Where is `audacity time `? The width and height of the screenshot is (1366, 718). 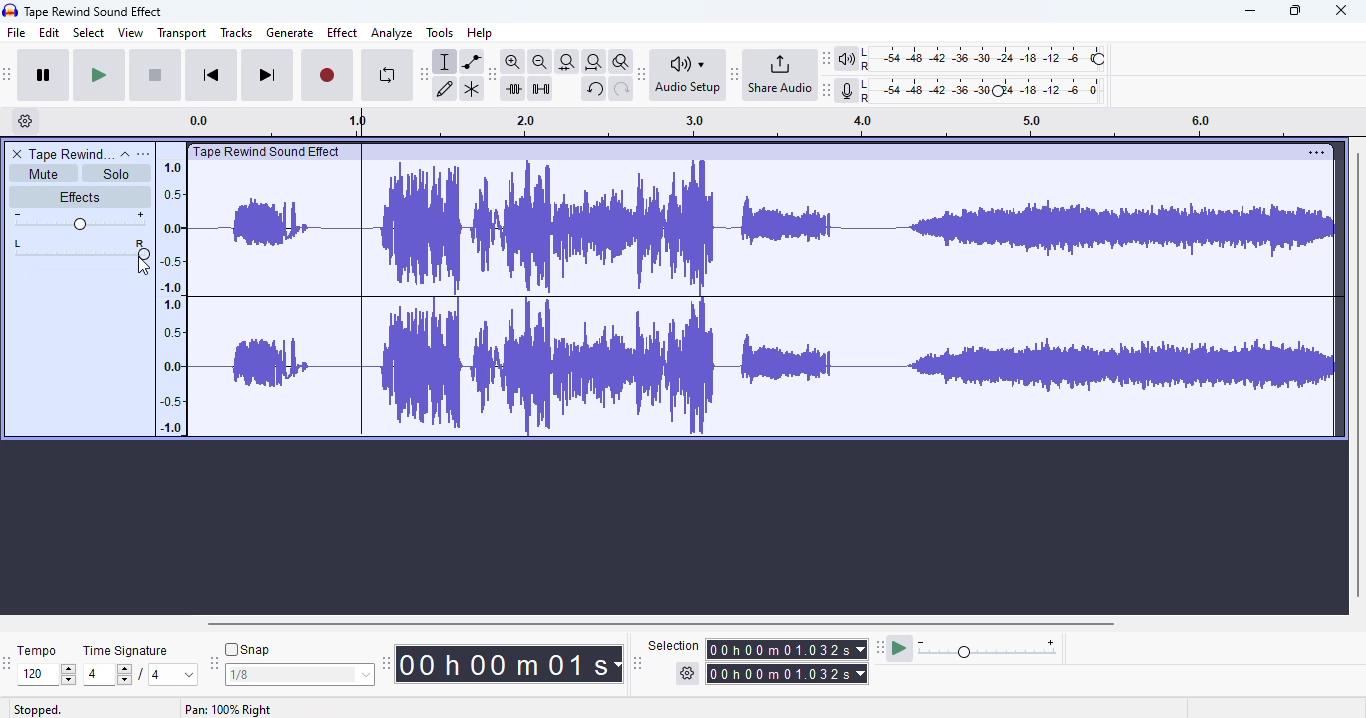
audacity time  is located at coordinates (508, 665).